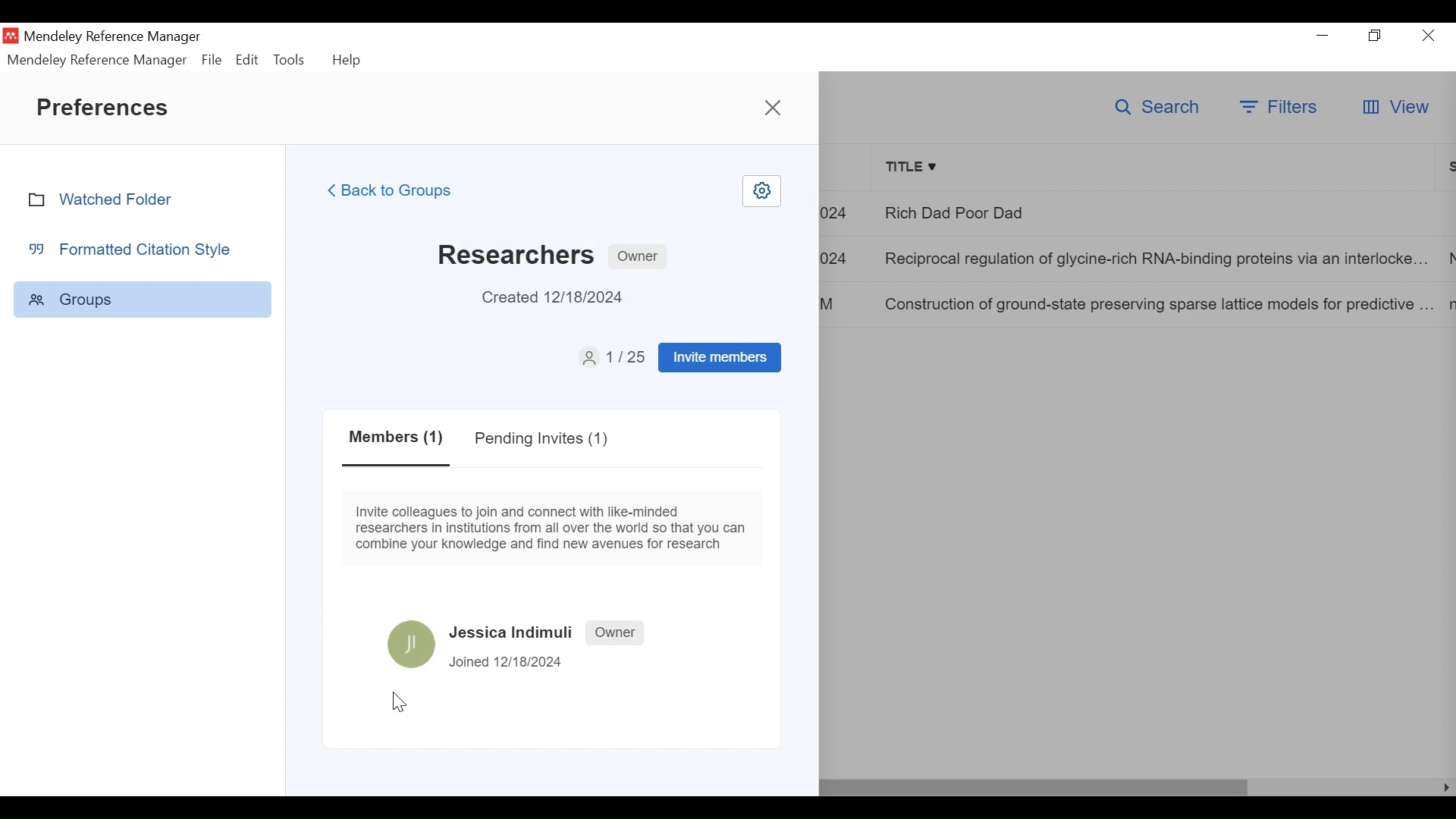 The image size is (1456, 819). What do you see at coordinates (1447, 788) in the screenshot?
I see `Scroll Left` at bounding box center [1447, 788].